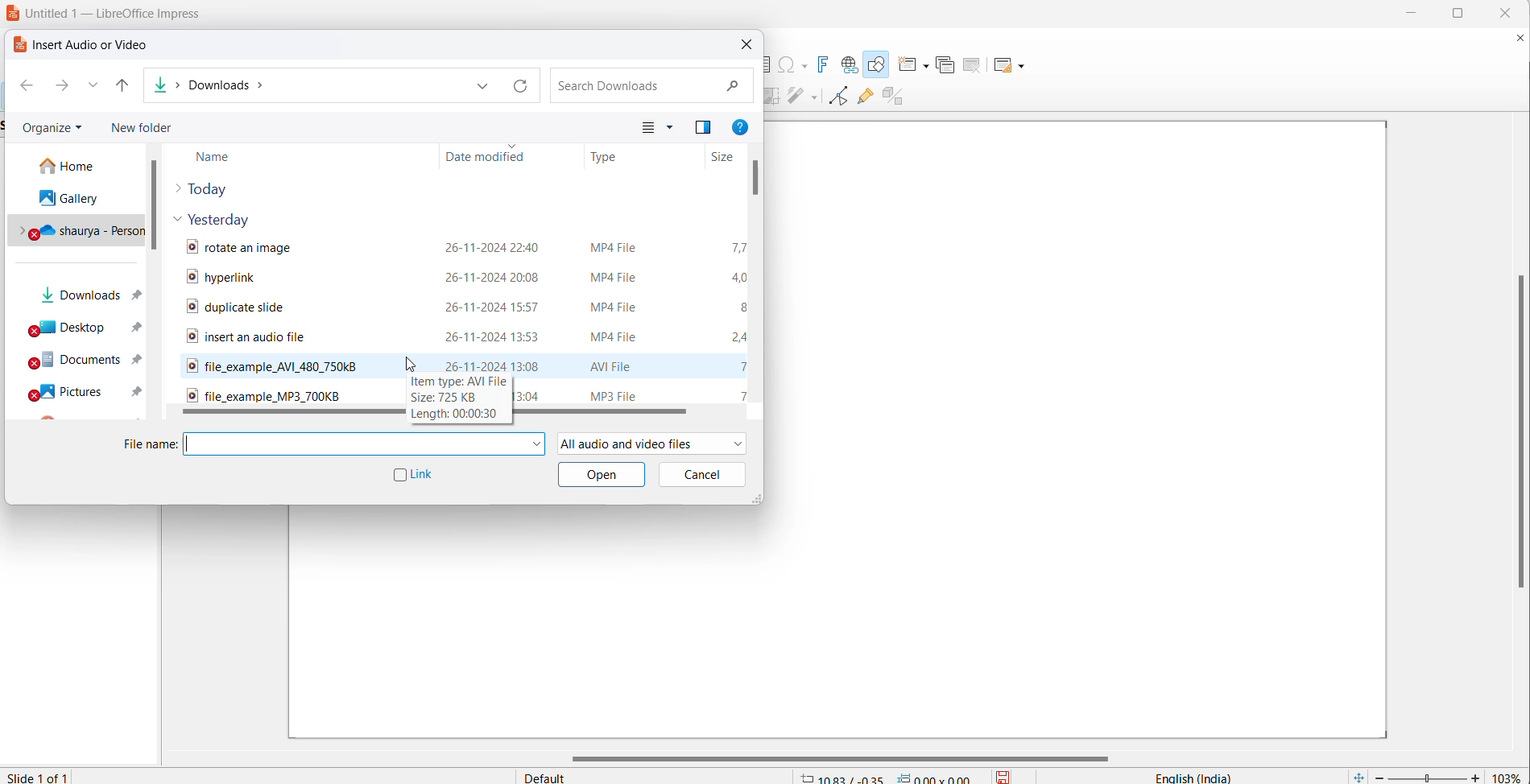 The width and height of the screenshot is (1530, 784). Describe the element at coordinates (11, 14) in the screenshot. I see `logo` at that location.